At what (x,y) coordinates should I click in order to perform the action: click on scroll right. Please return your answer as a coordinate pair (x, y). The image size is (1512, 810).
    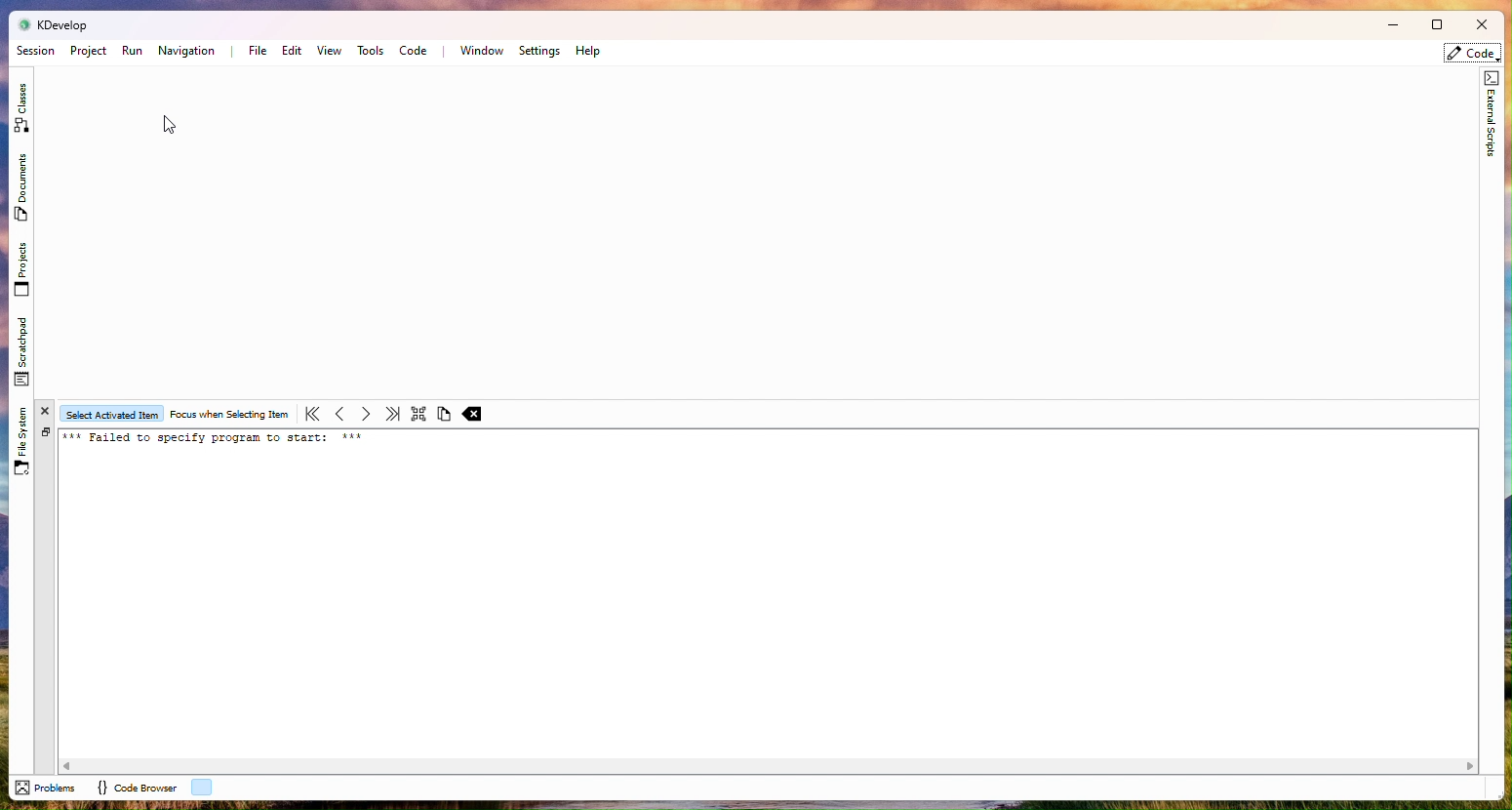
    Looking at the image, I should click on (1471, 766).